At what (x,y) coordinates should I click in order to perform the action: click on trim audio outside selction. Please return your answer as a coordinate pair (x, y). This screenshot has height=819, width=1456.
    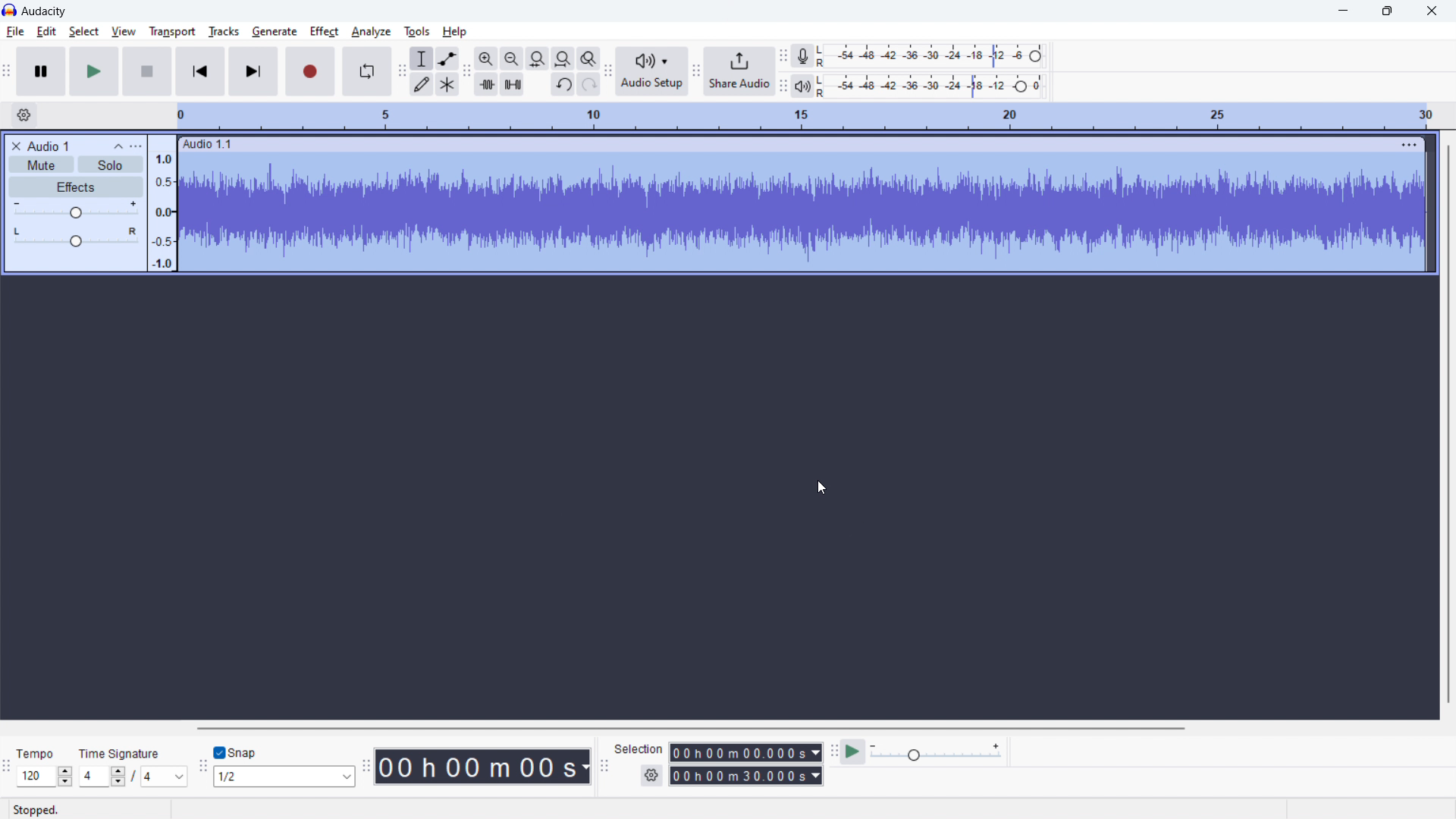
    Looking at the image, I should click on (487, 83).